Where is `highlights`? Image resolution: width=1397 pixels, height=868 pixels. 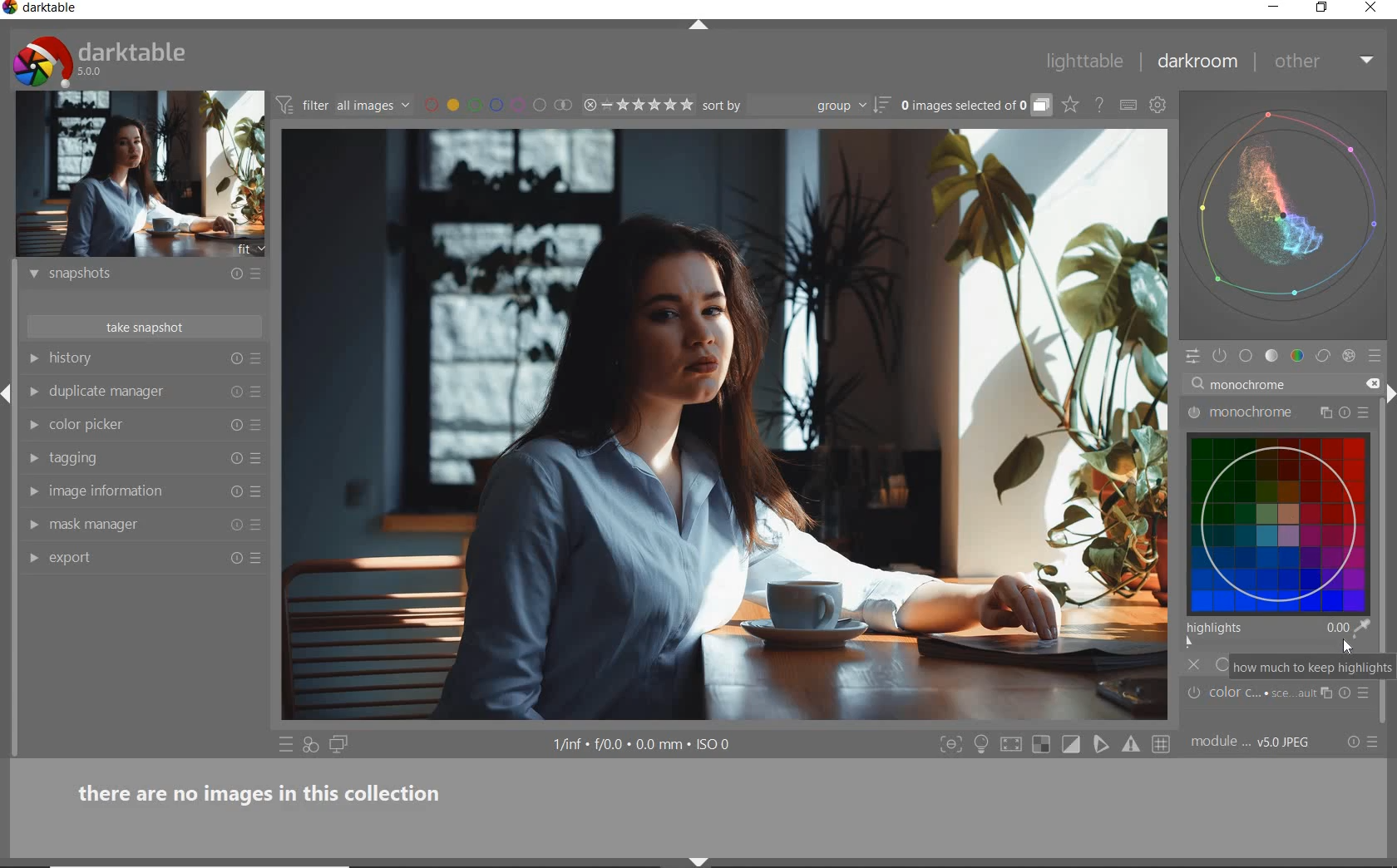 highlights is located at coordinates (1281, 623).